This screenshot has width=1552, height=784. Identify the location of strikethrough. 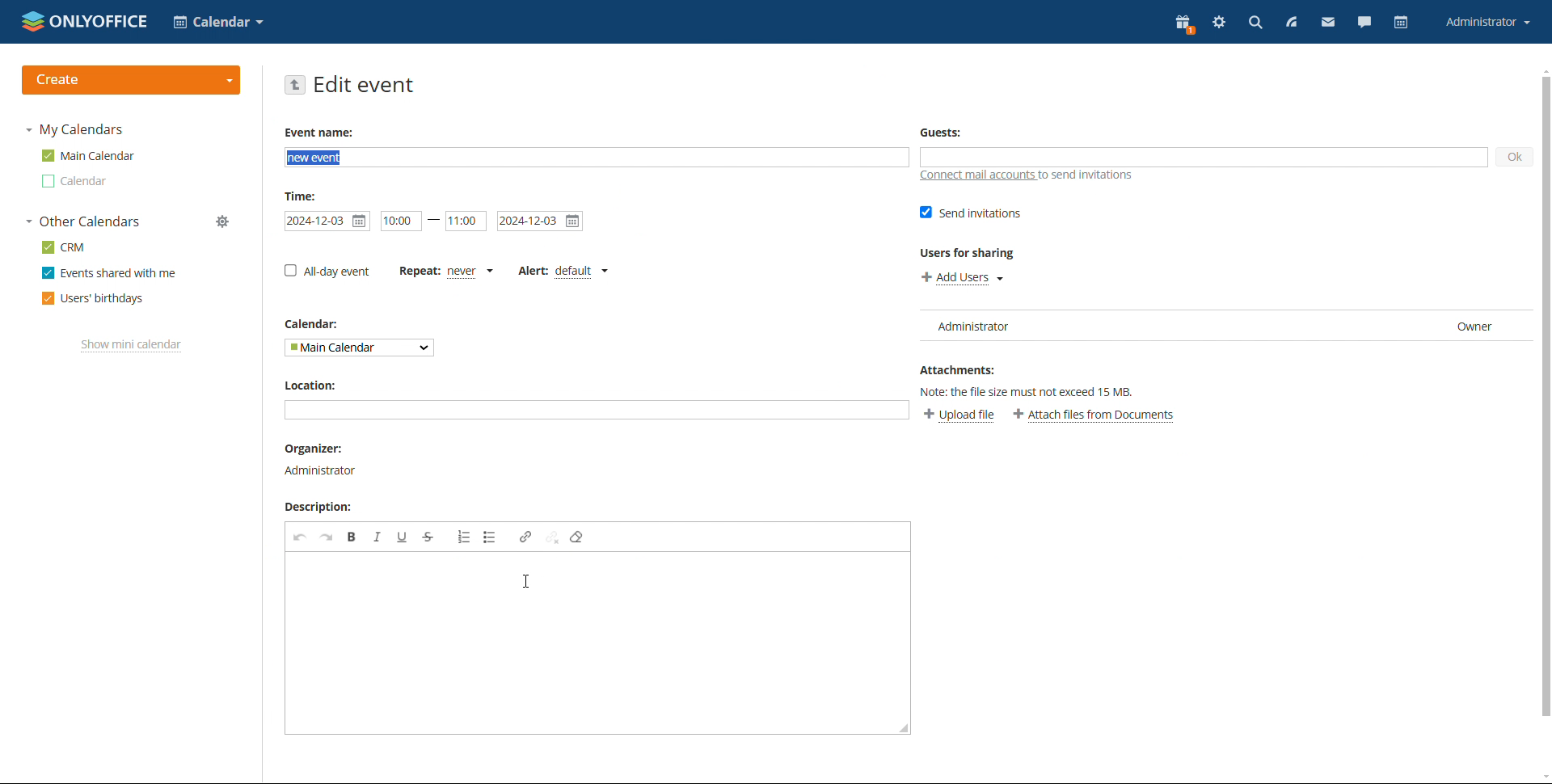
(428, 537).